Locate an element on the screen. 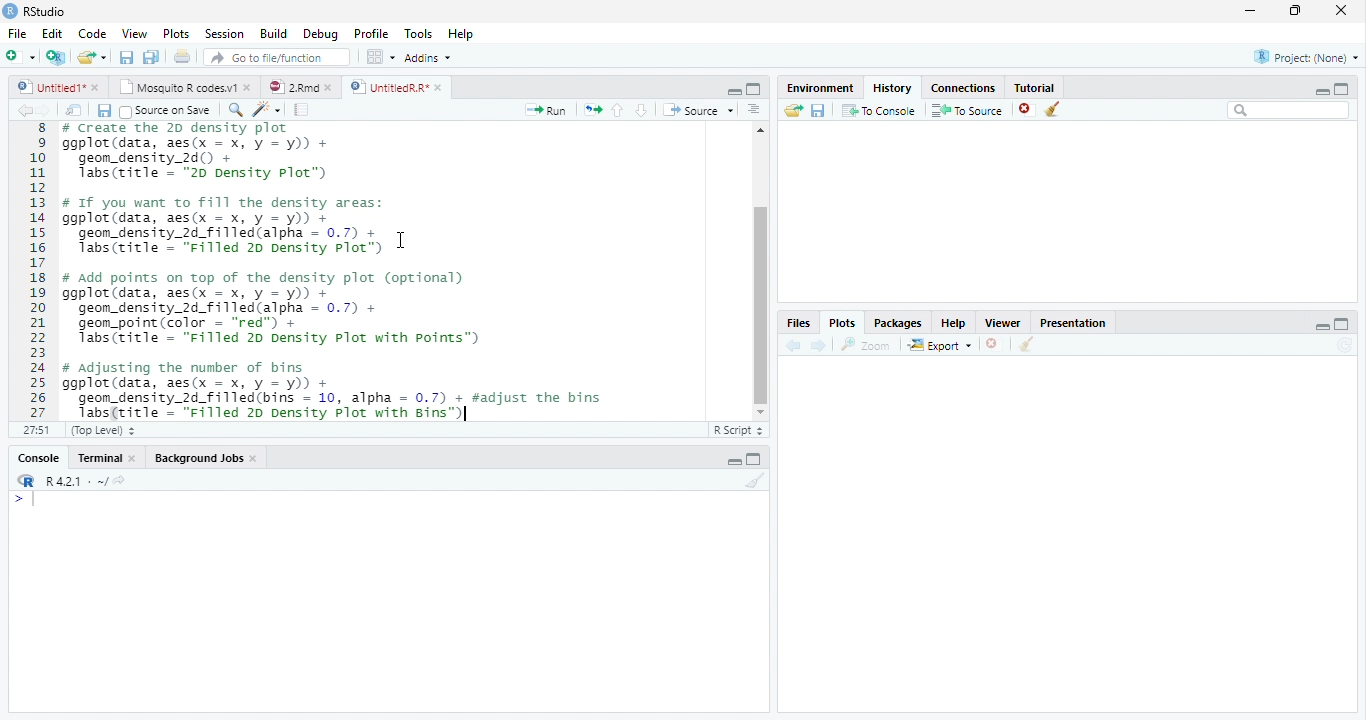 The image size is (1366, 720). close is located at coordinates (250, 88).